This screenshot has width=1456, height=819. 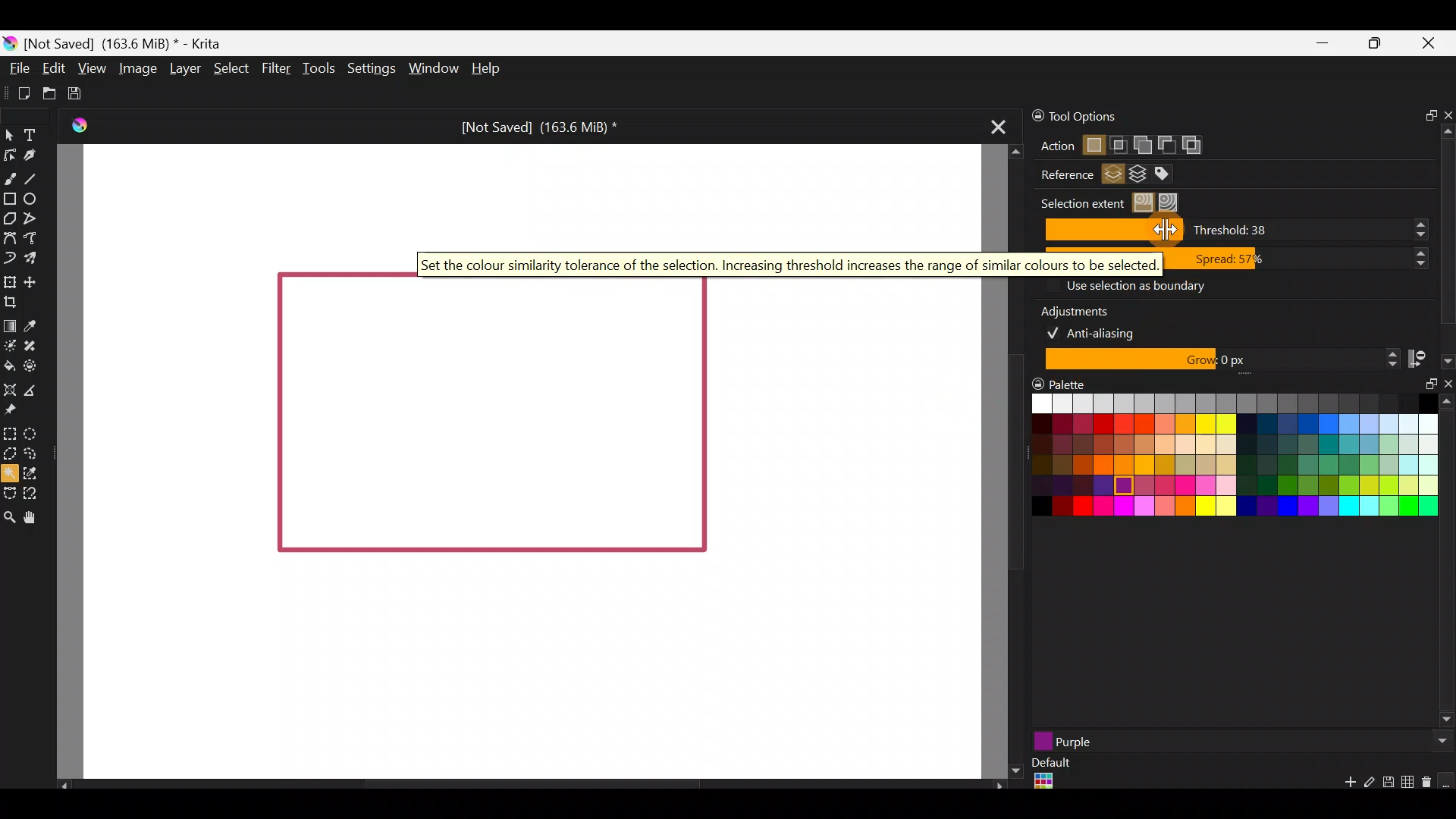 What do you see at coordinates (1446, 387) in the screenshot?
I see `Close docker` at bounding box center [1446, 387].